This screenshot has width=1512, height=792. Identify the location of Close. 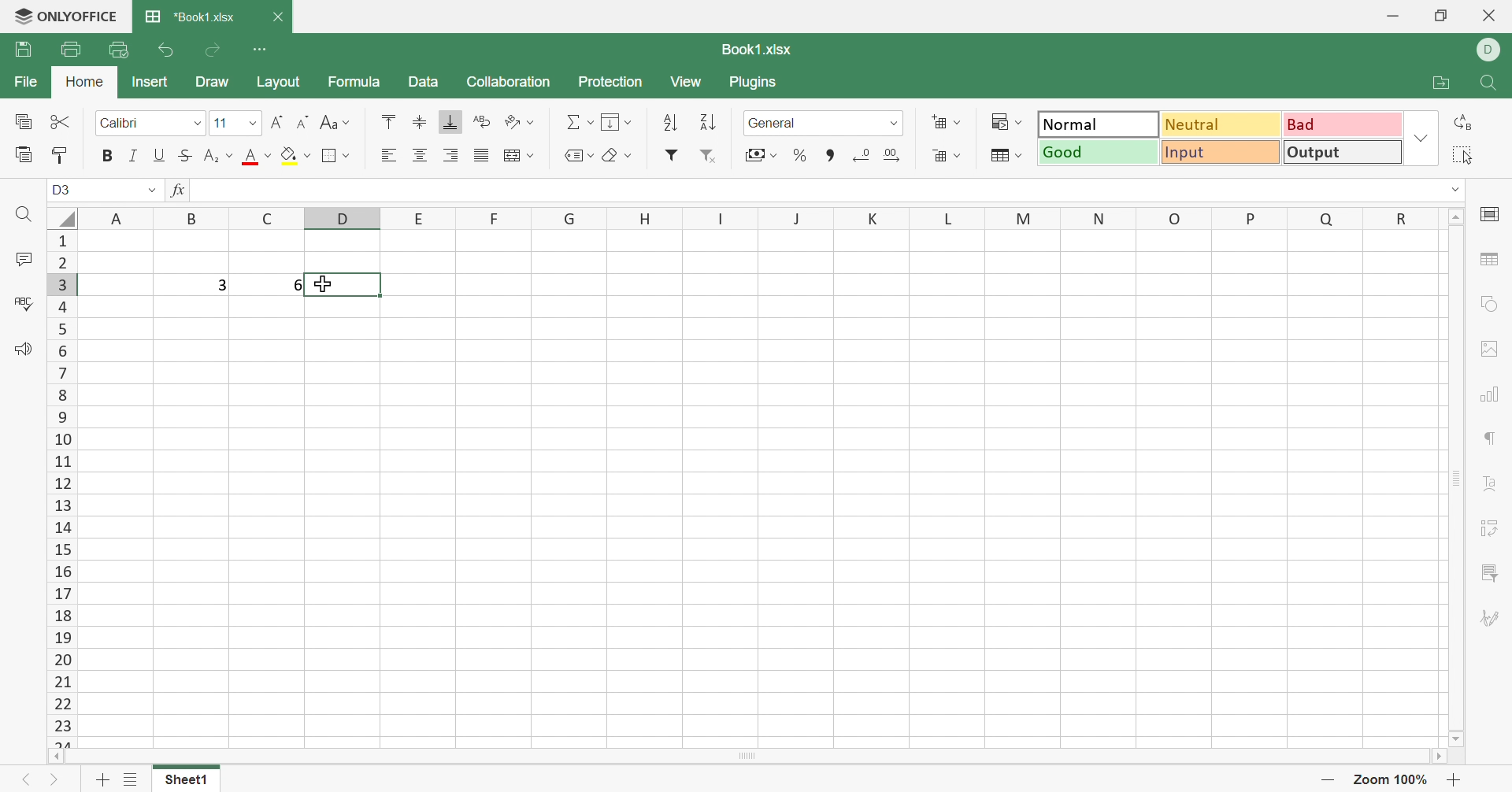
(1492, 14).